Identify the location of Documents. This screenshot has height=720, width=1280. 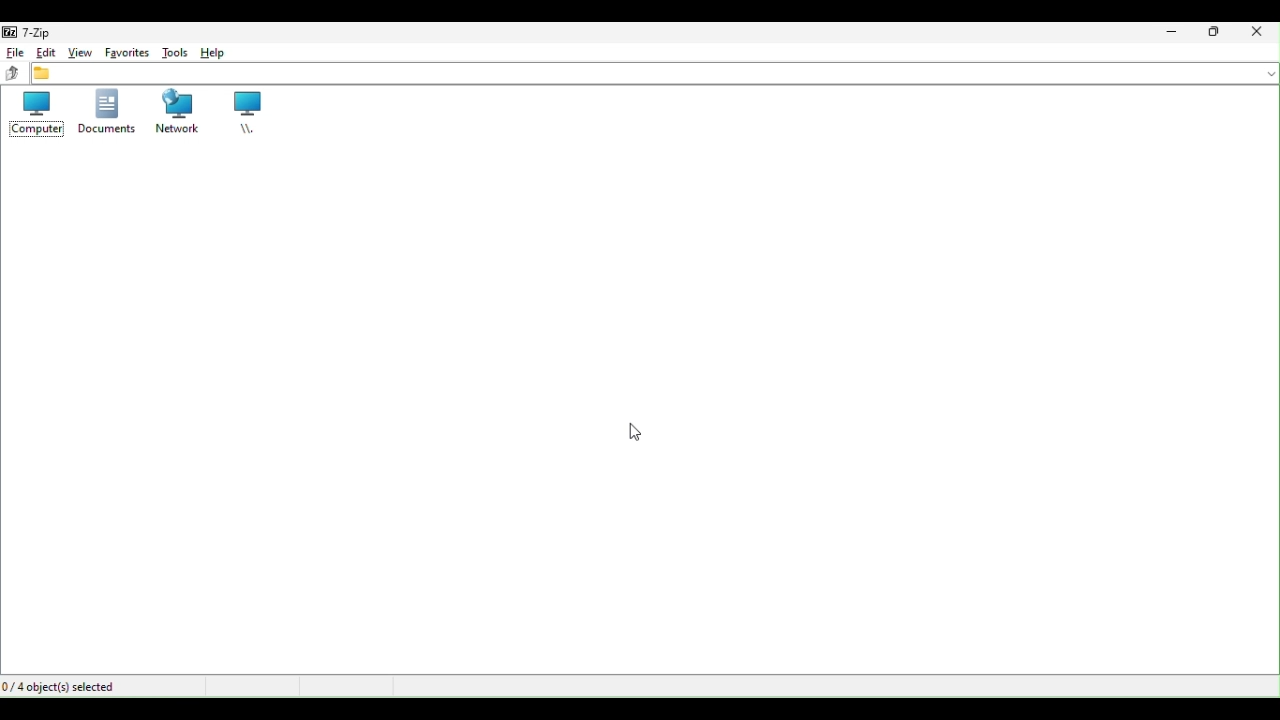
(103, 111).